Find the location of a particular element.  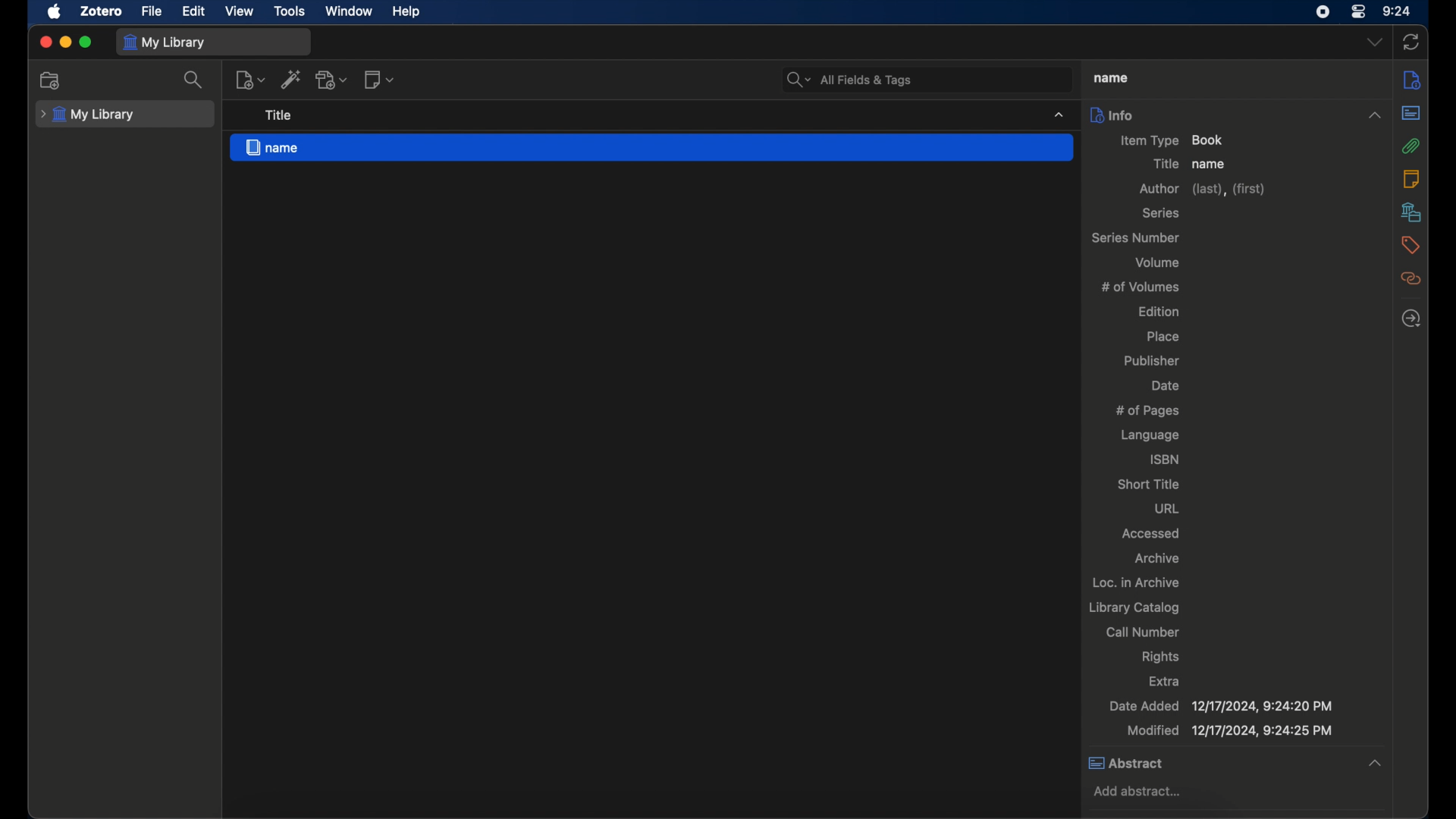

dropdown is located at coordinates (1376, 764).